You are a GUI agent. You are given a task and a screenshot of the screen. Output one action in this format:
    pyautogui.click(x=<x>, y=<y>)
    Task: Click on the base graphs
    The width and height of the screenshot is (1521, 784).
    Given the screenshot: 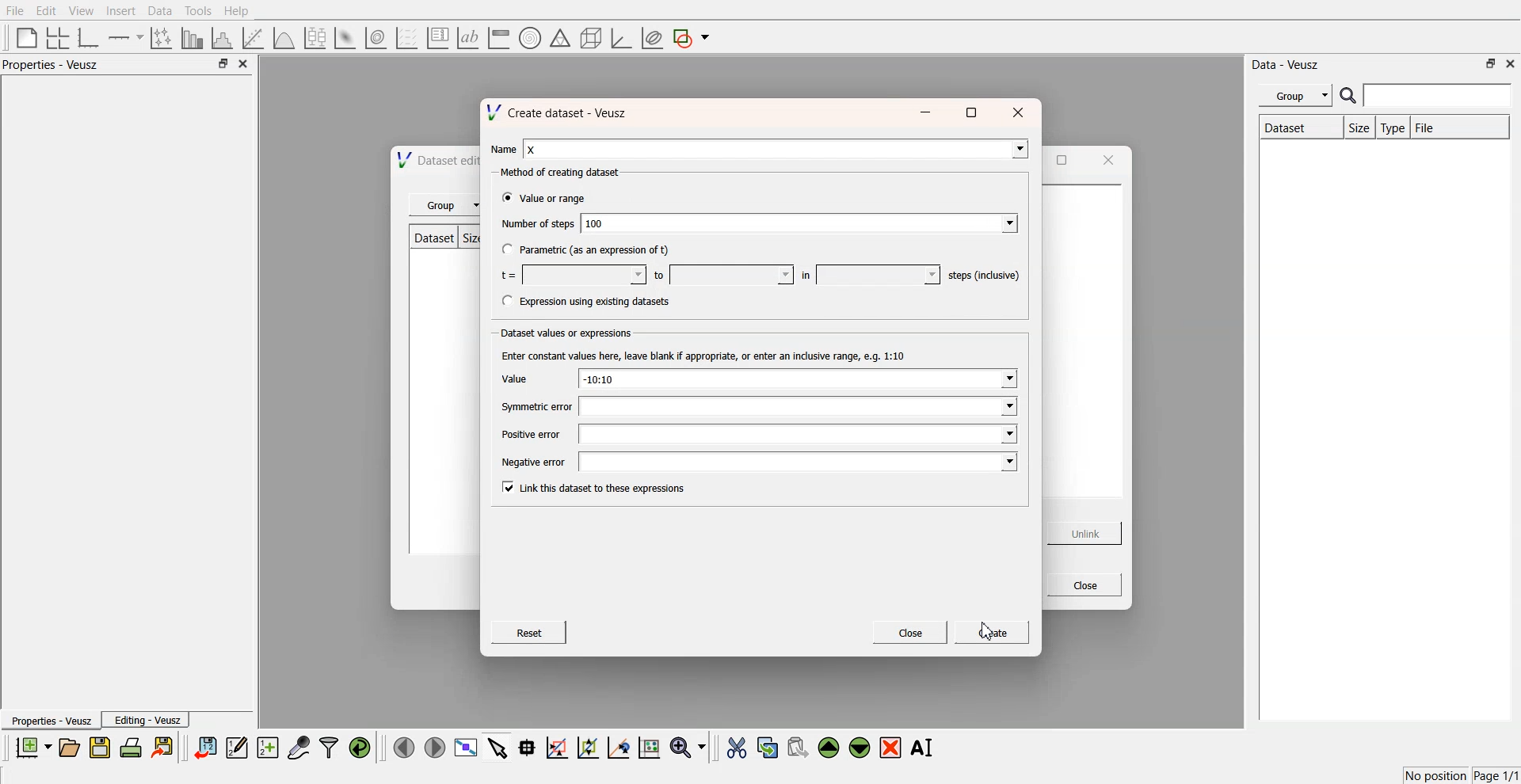 What is the action you would take?
    pyautogui.click(x=90, y=37)
    